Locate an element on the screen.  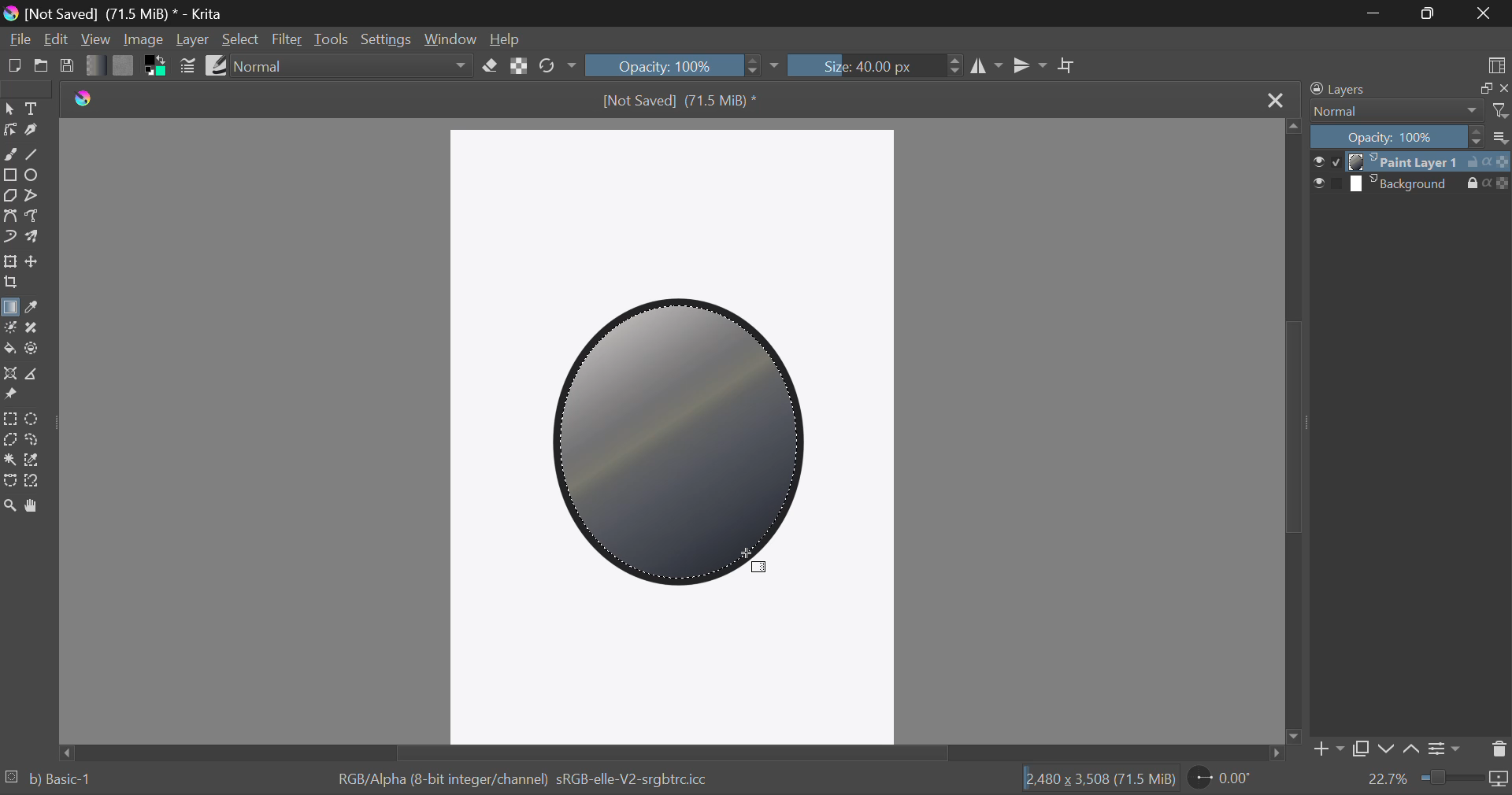
Freehand Path Tool is located at coordinates (35, 217).